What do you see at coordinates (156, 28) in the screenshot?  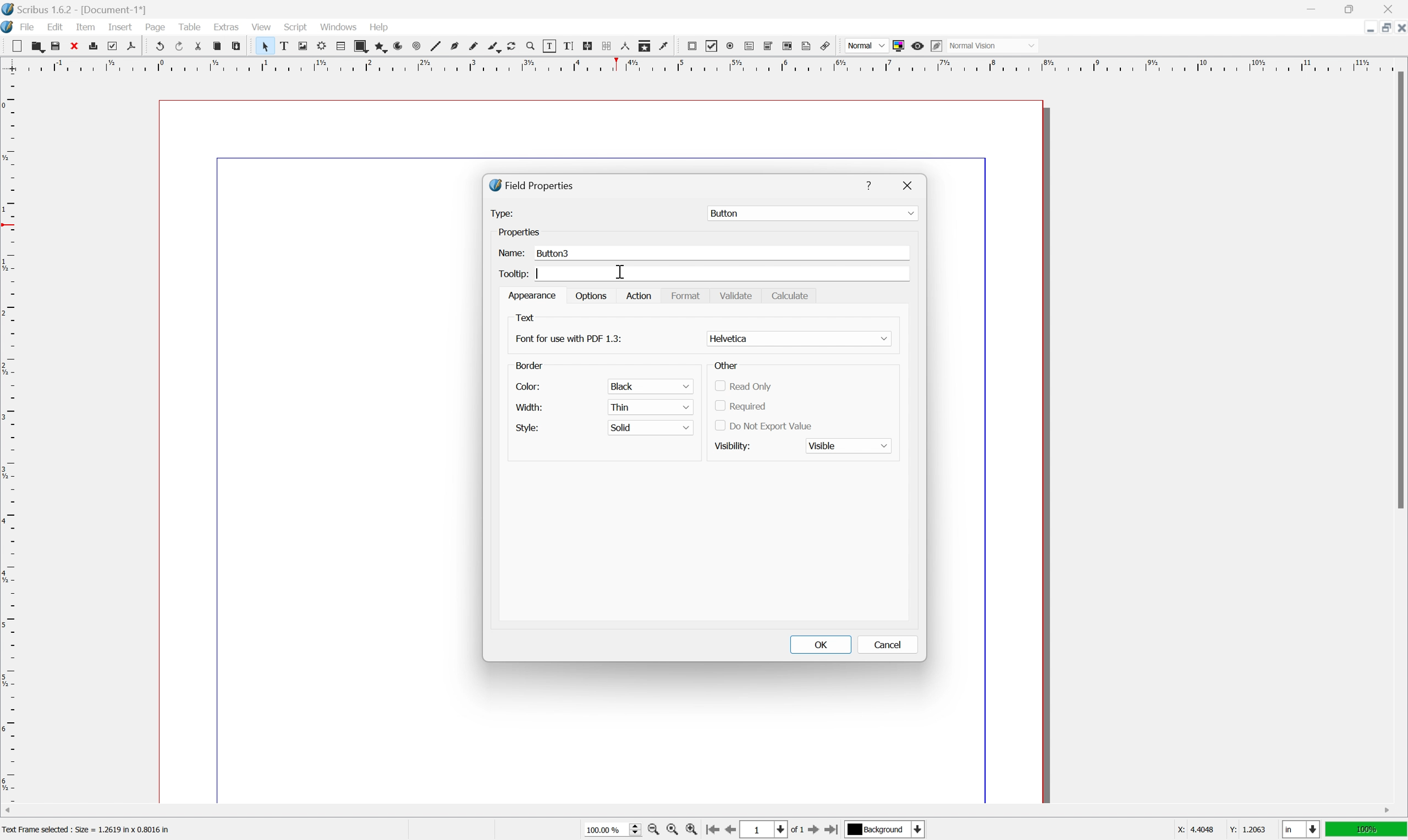 I see `page` at bounding box center [156, 28].